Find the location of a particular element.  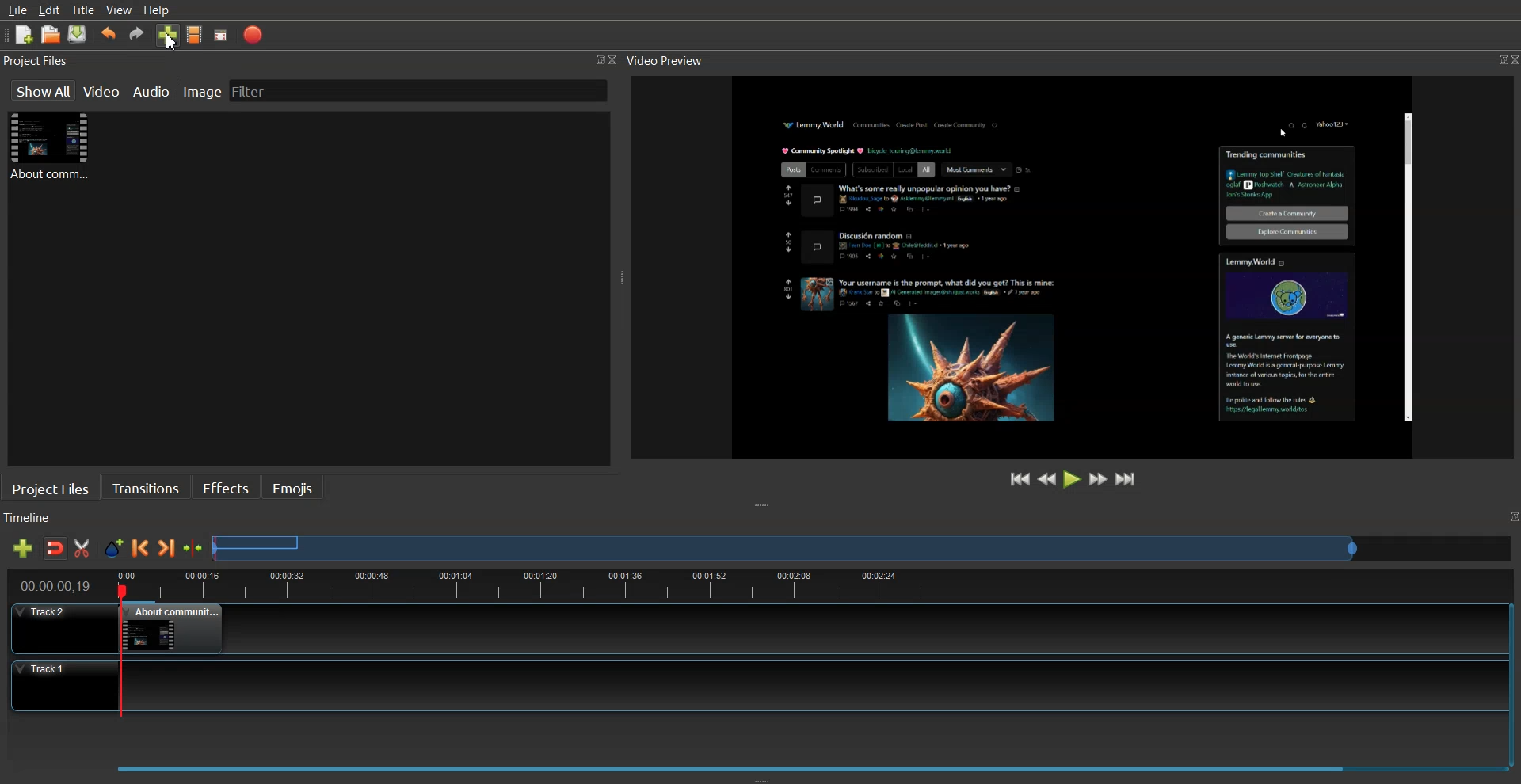

Image is located at coordinates (202, 89).